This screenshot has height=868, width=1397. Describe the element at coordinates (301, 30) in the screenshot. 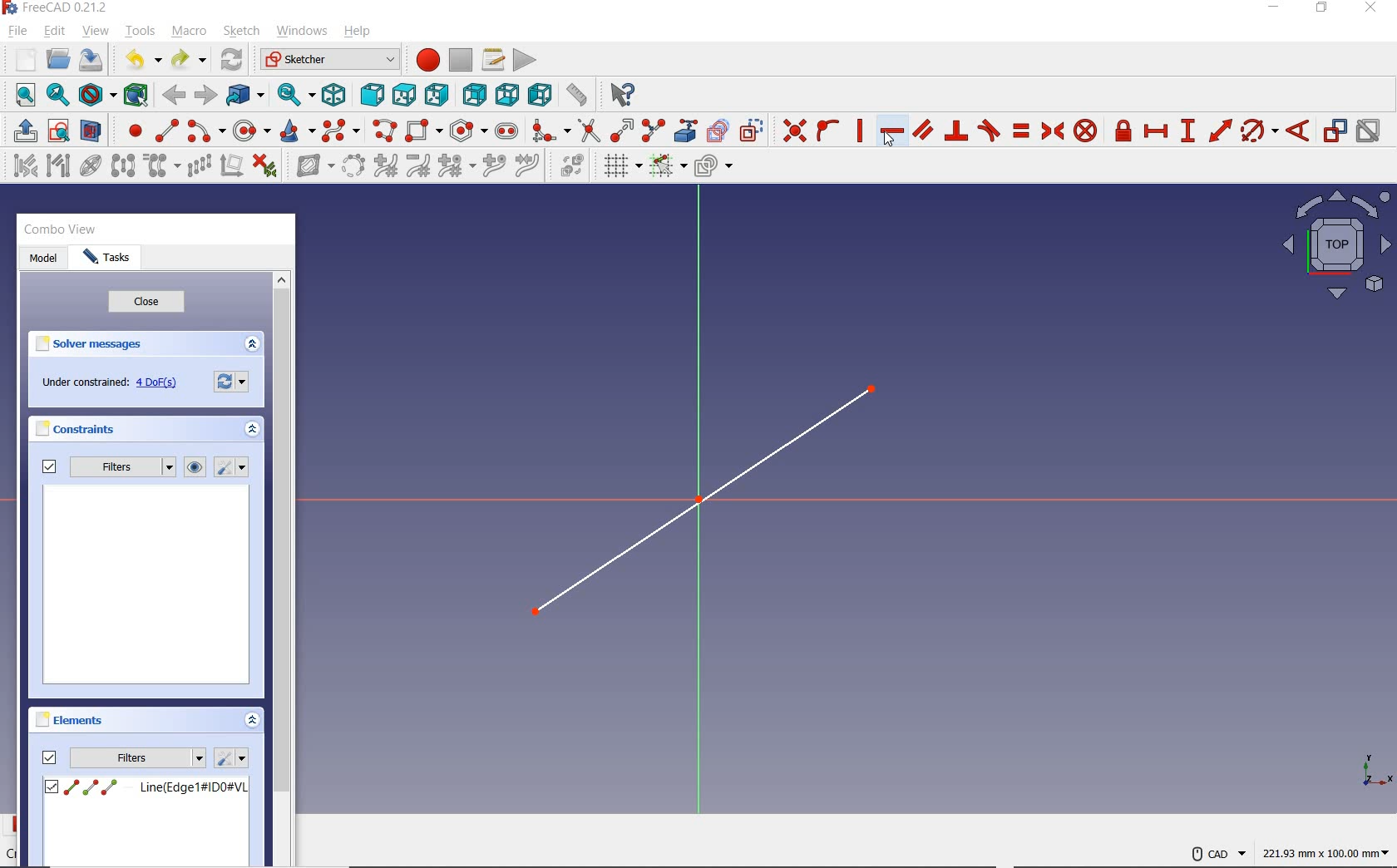

I see `WINDOWS` at that location.